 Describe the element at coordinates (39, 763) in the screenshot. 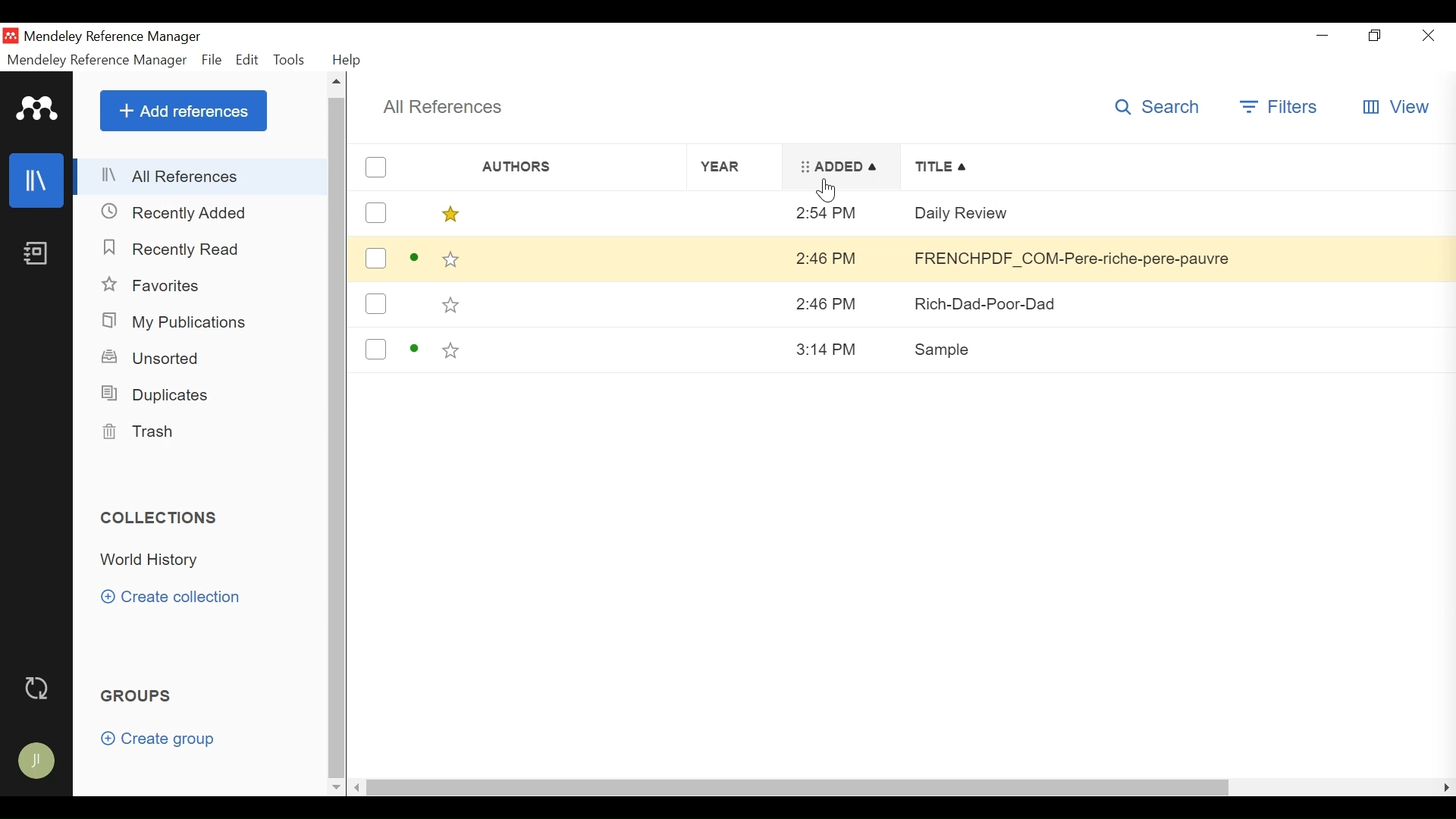

I see `Avatar` at that location.